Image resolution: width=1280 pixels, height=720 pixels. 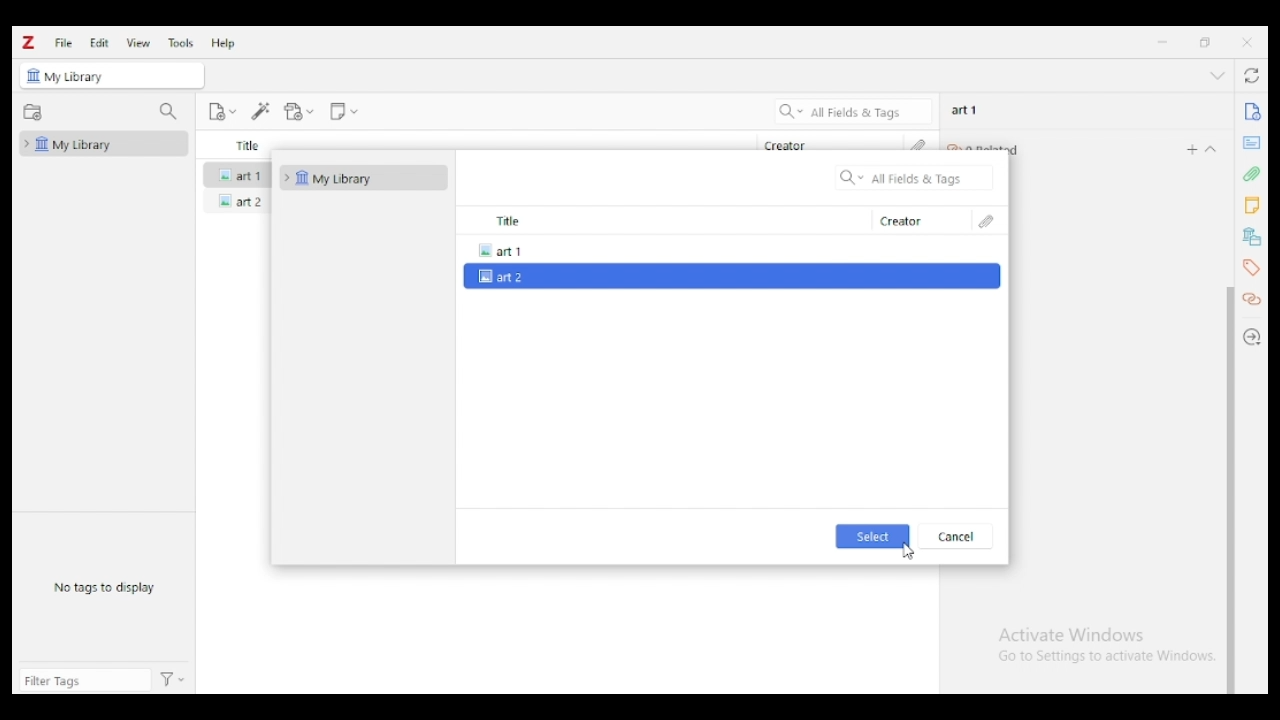 What do you see at coordinates (919, 221) in the screenshot?
I see `creator` at bounding box center [919, 221].